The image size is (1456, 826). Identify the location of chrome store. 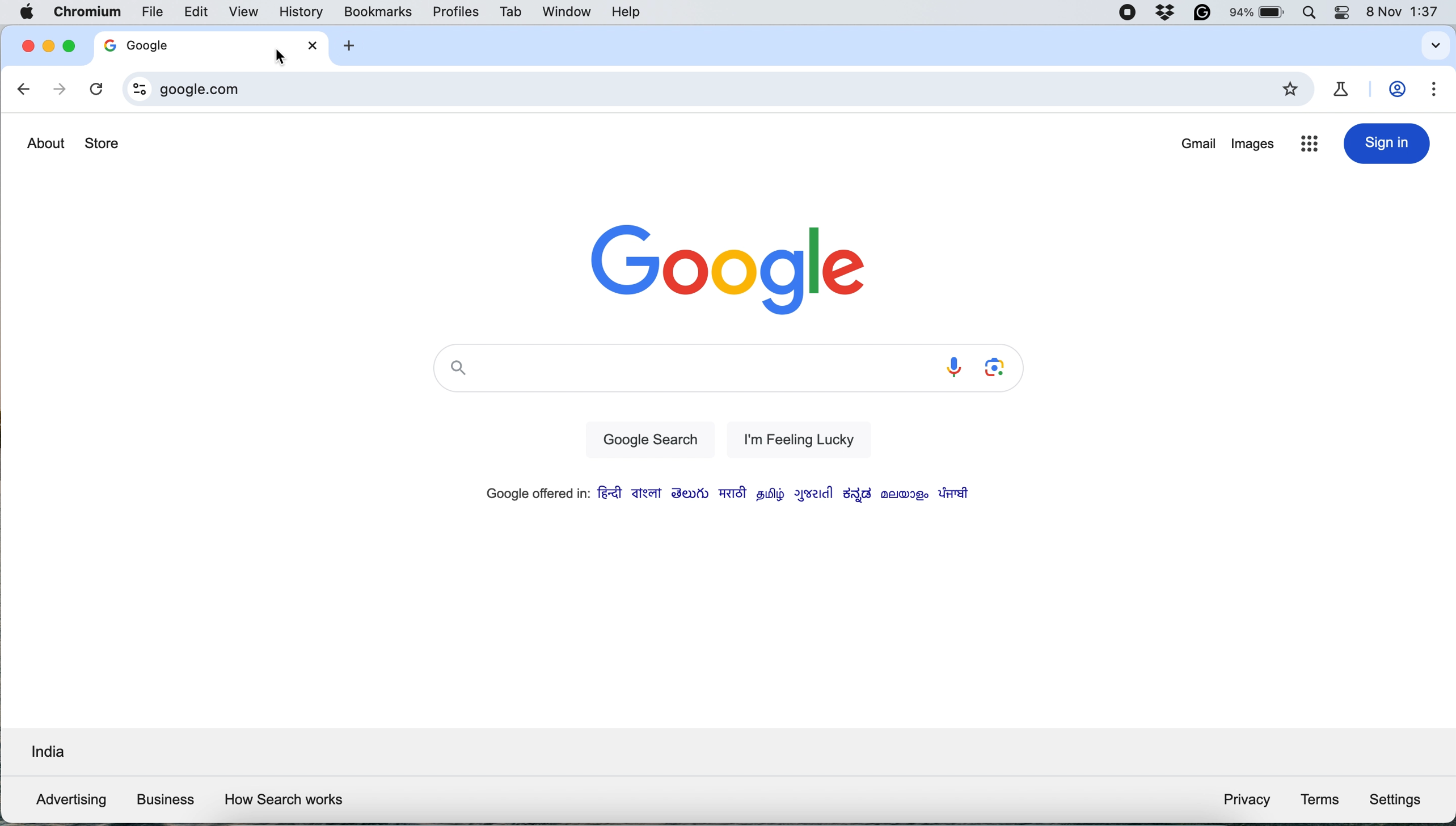
(1309, 146).